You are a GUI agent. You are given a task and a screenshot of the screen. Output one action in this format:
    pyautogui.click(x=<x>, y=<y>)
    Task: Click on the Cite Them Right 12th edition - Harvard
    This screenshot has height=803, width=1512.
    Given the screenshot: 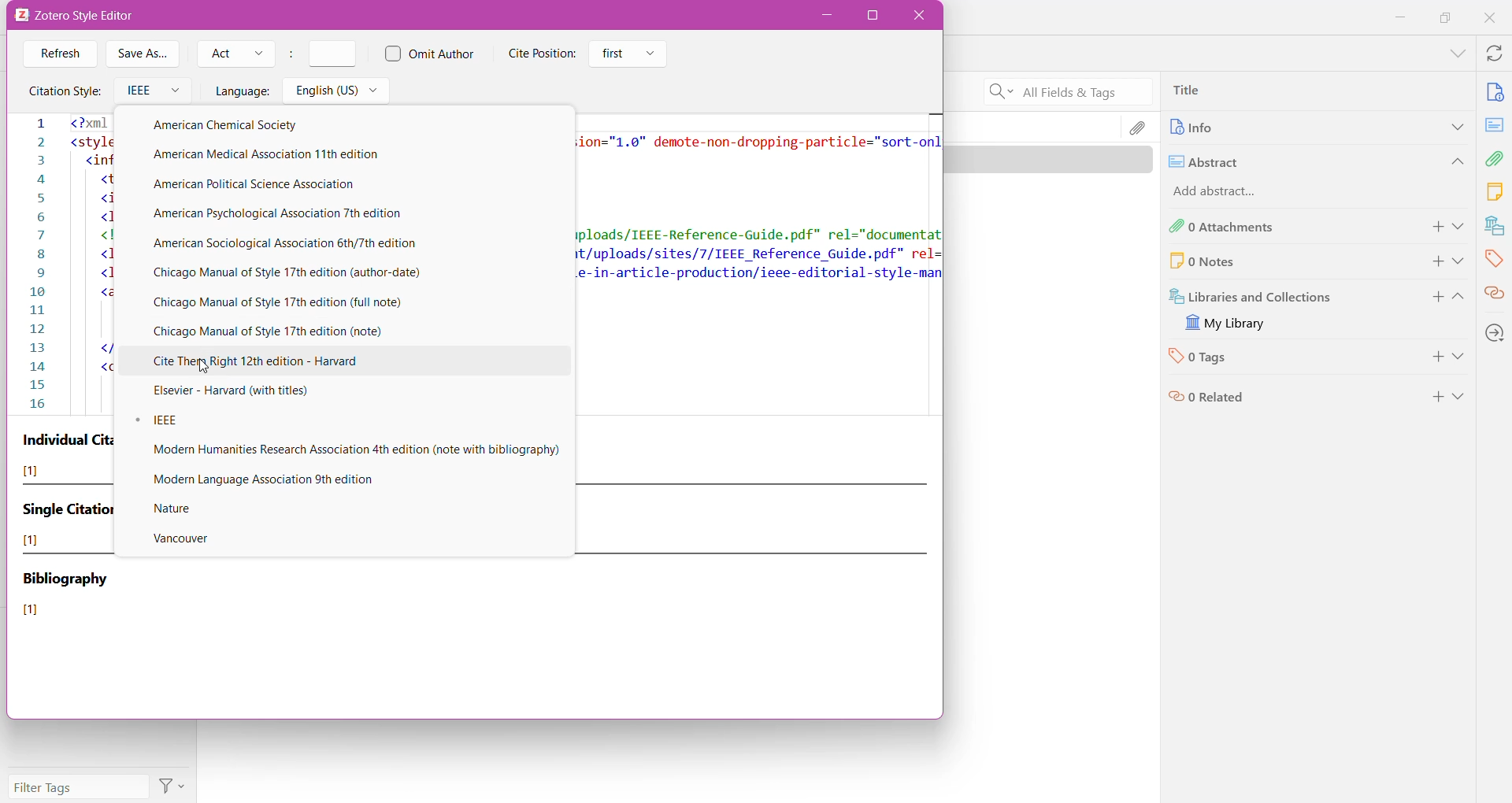 What is the action you would take?
    pyautogui.click(x=354, y=362)
    